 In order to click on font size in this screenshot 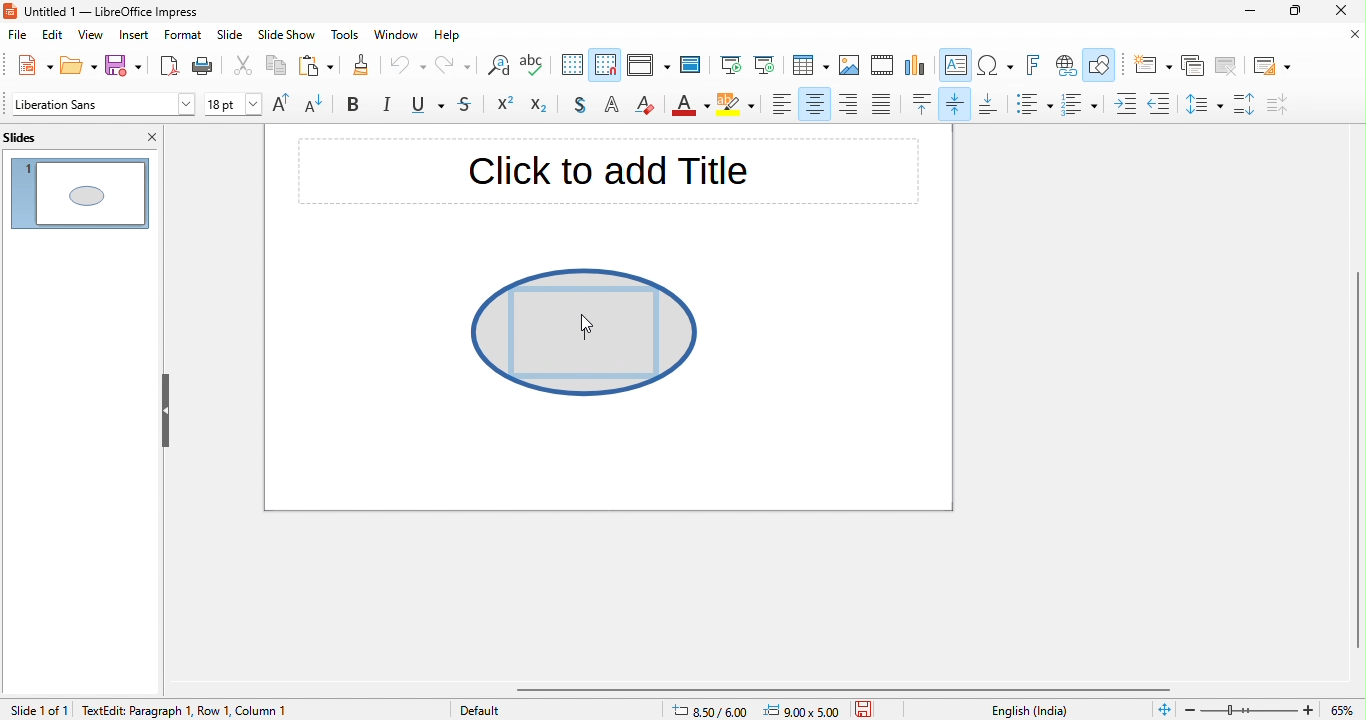, I will do `click(234, 106)`.